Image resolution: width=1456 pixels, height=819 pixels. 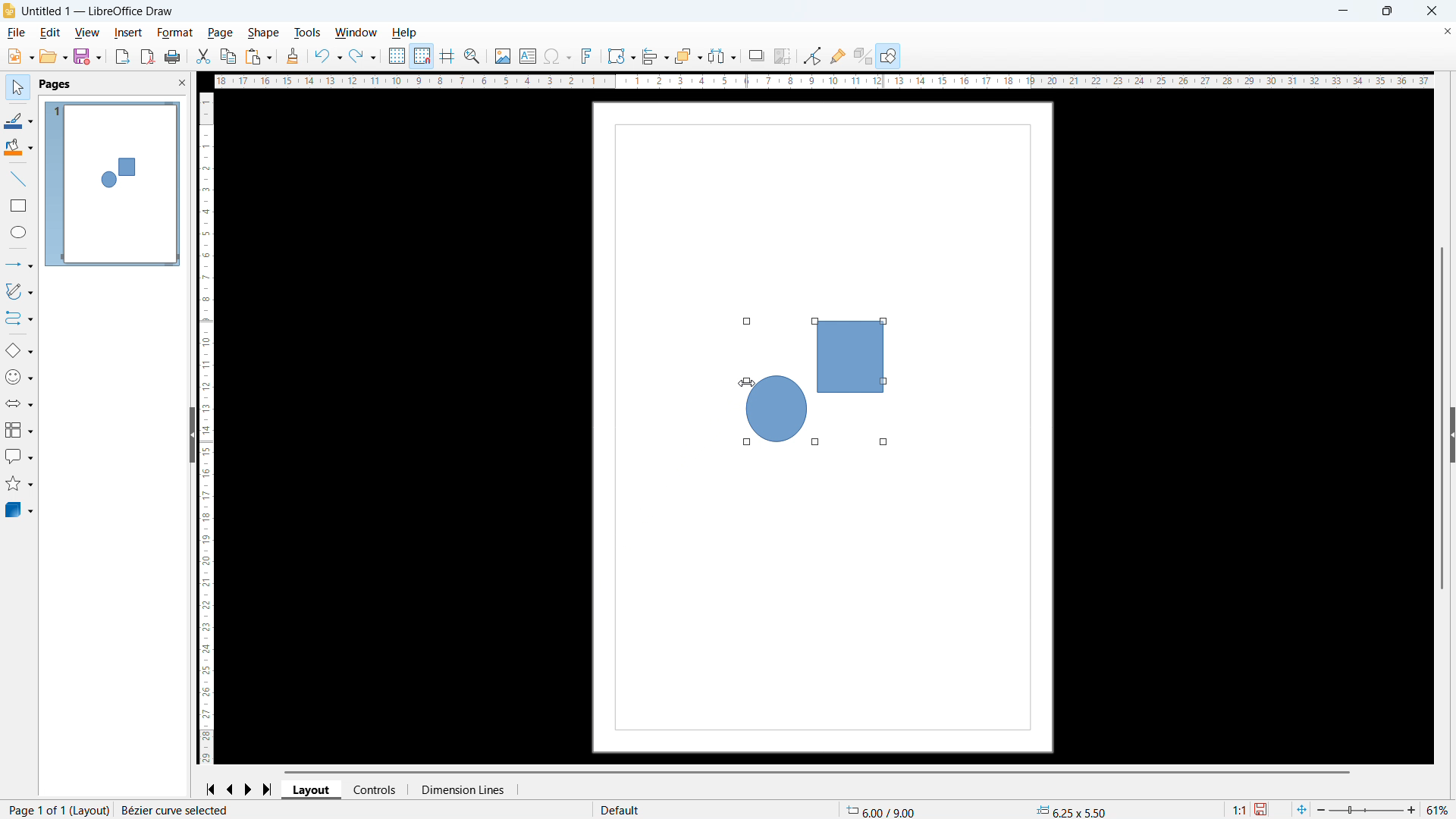 I want to click on Vertical scroll bar , so click(x=1442, y=417).